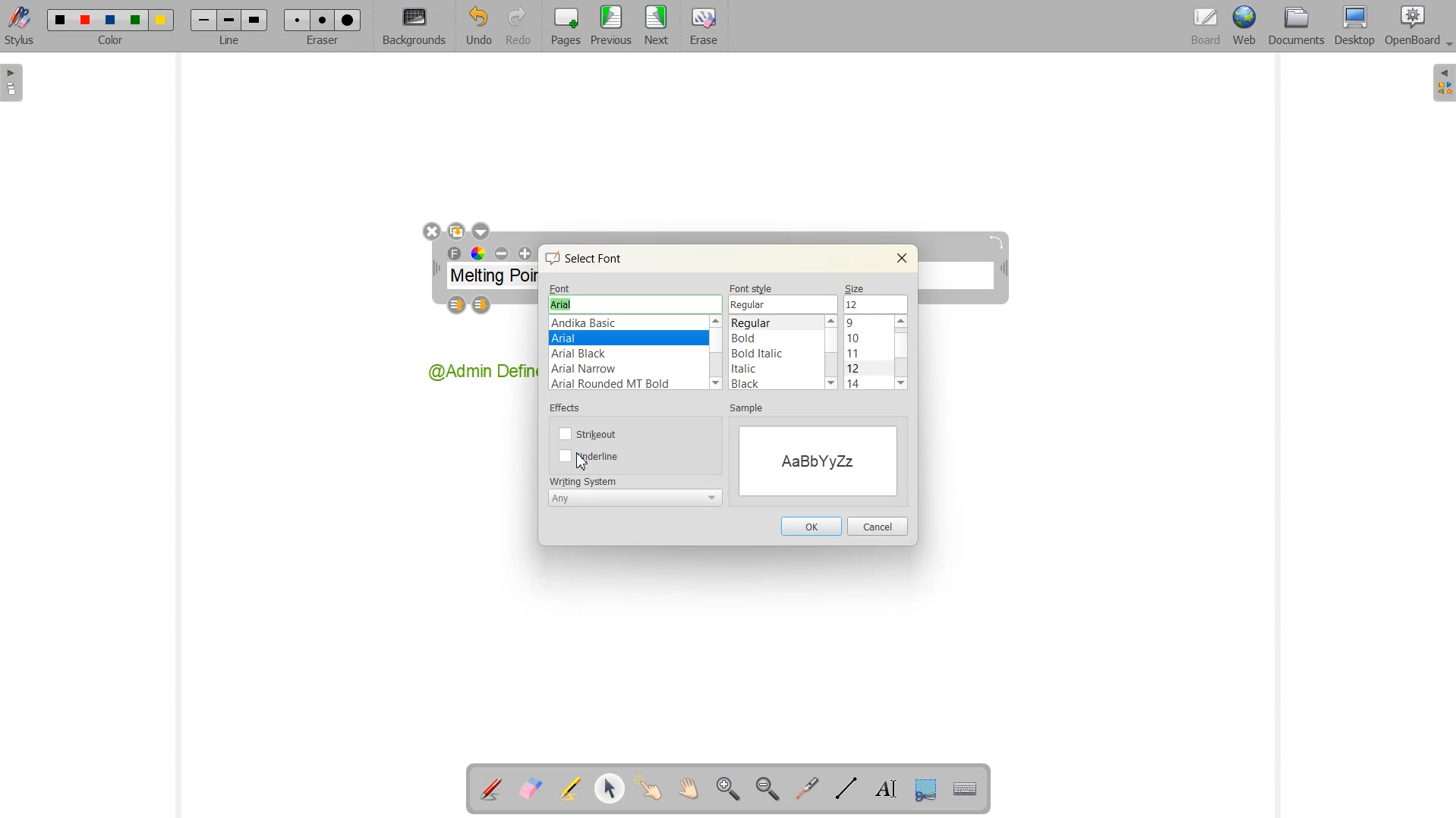 The image size is (1456, 818). Describe the element at coordinates (923, 788) in the screenshot. I see `Capture part of the screen` at that location.